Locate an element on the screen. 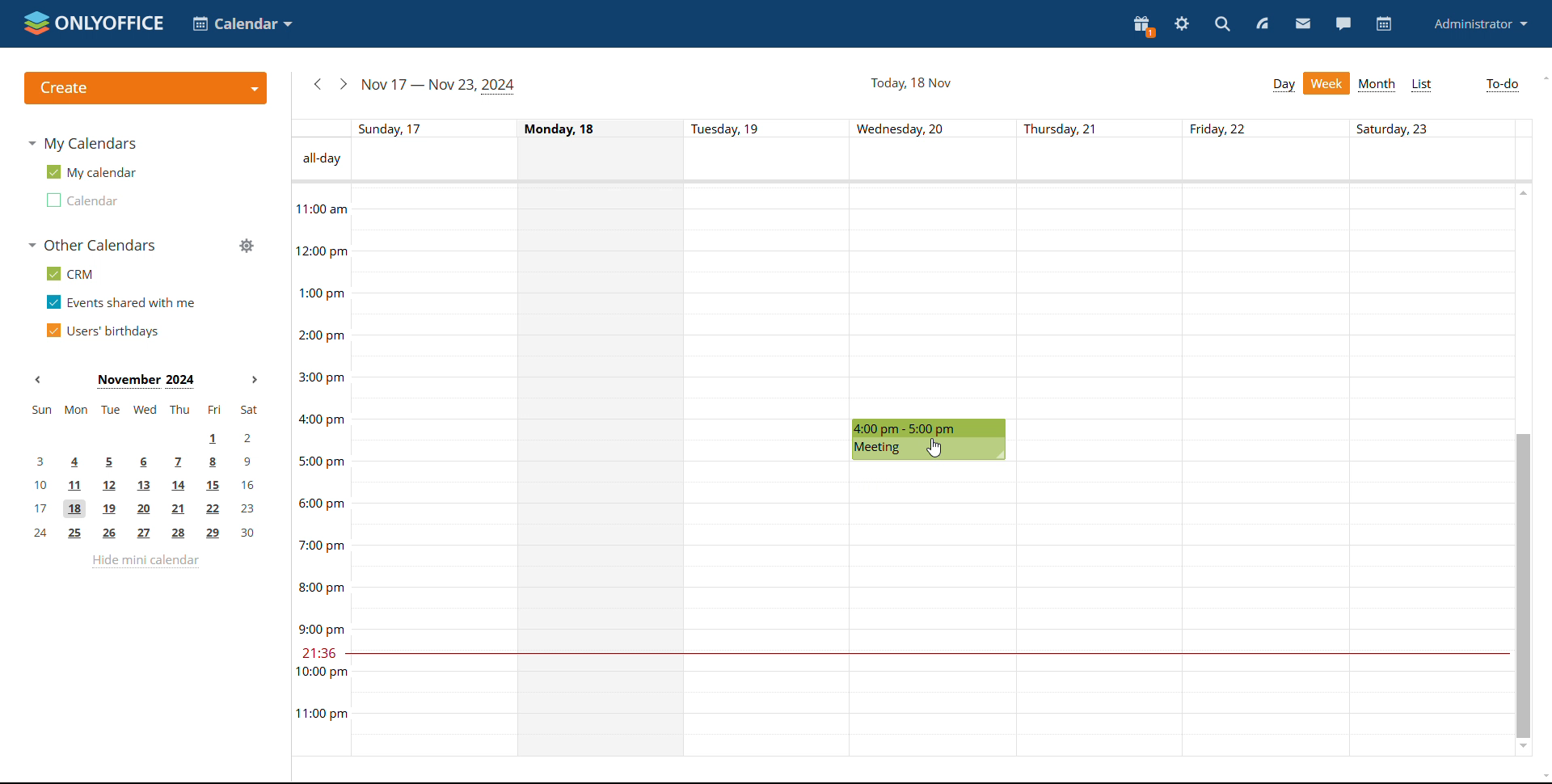  my calendar is located at coordinates (90, 172).